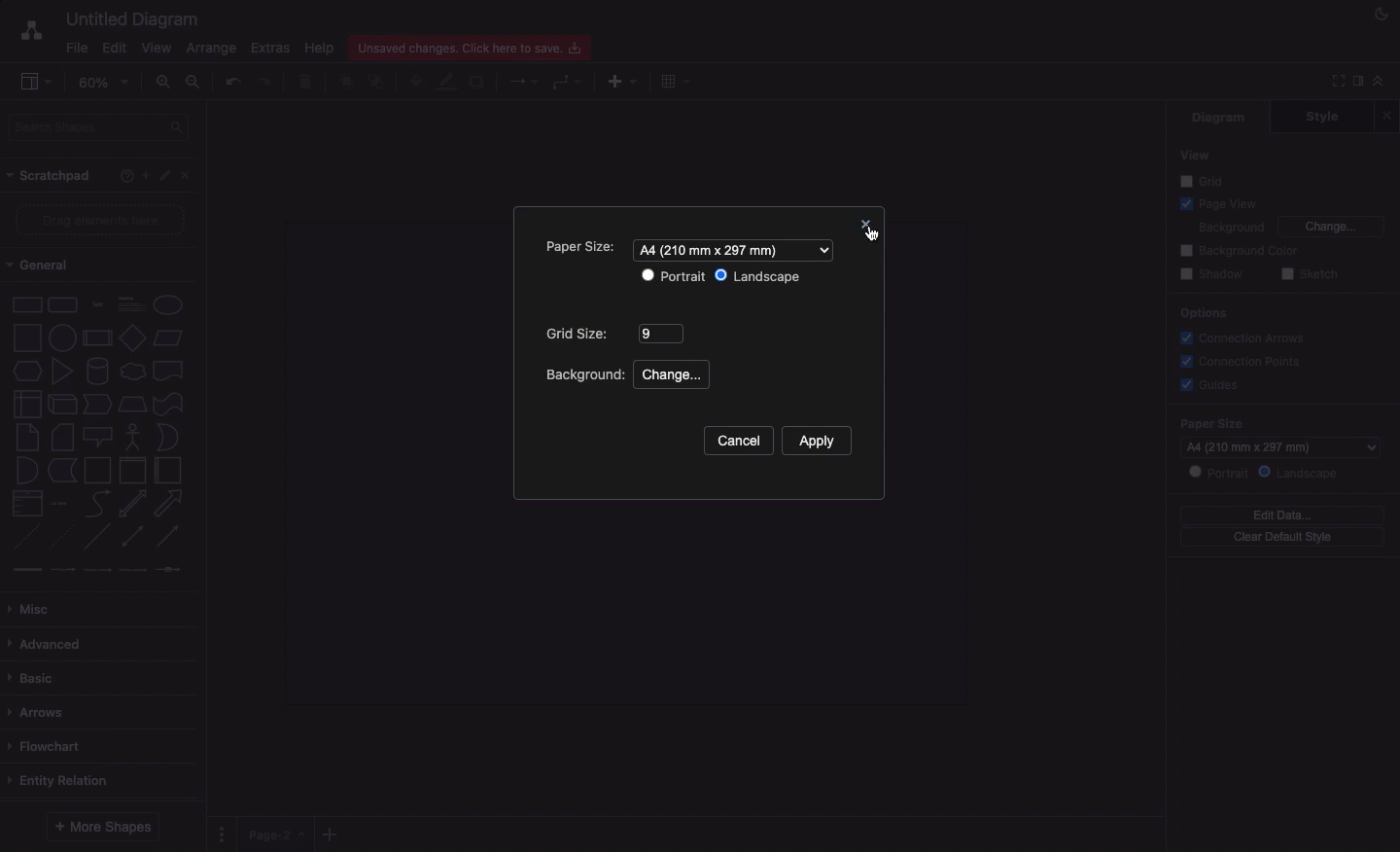 The height and width of the screenshot is (852, 1400). I want to click on Page view, so click(1215, 202).